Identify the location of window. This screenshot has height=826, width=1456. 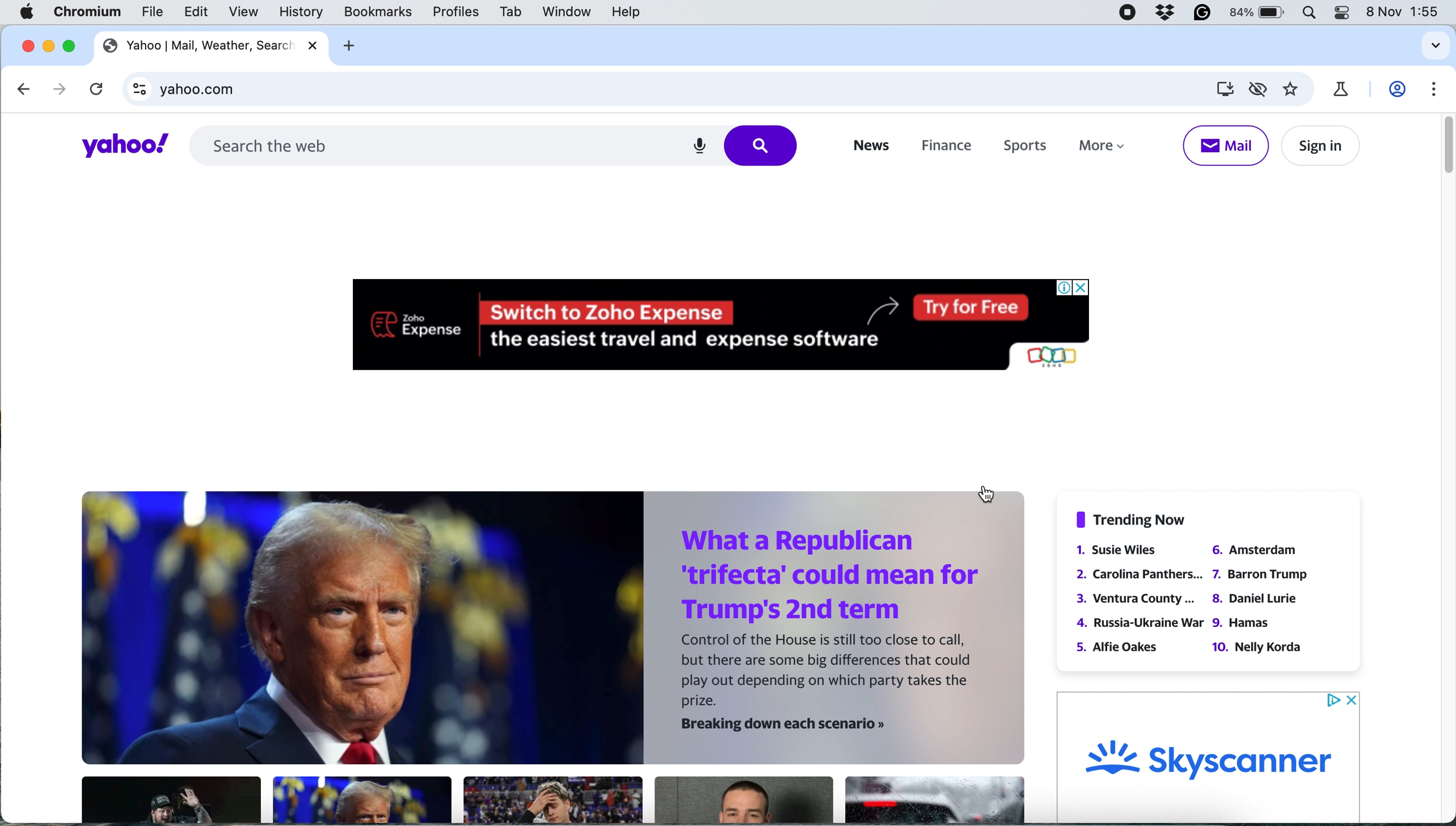
(573, 11).